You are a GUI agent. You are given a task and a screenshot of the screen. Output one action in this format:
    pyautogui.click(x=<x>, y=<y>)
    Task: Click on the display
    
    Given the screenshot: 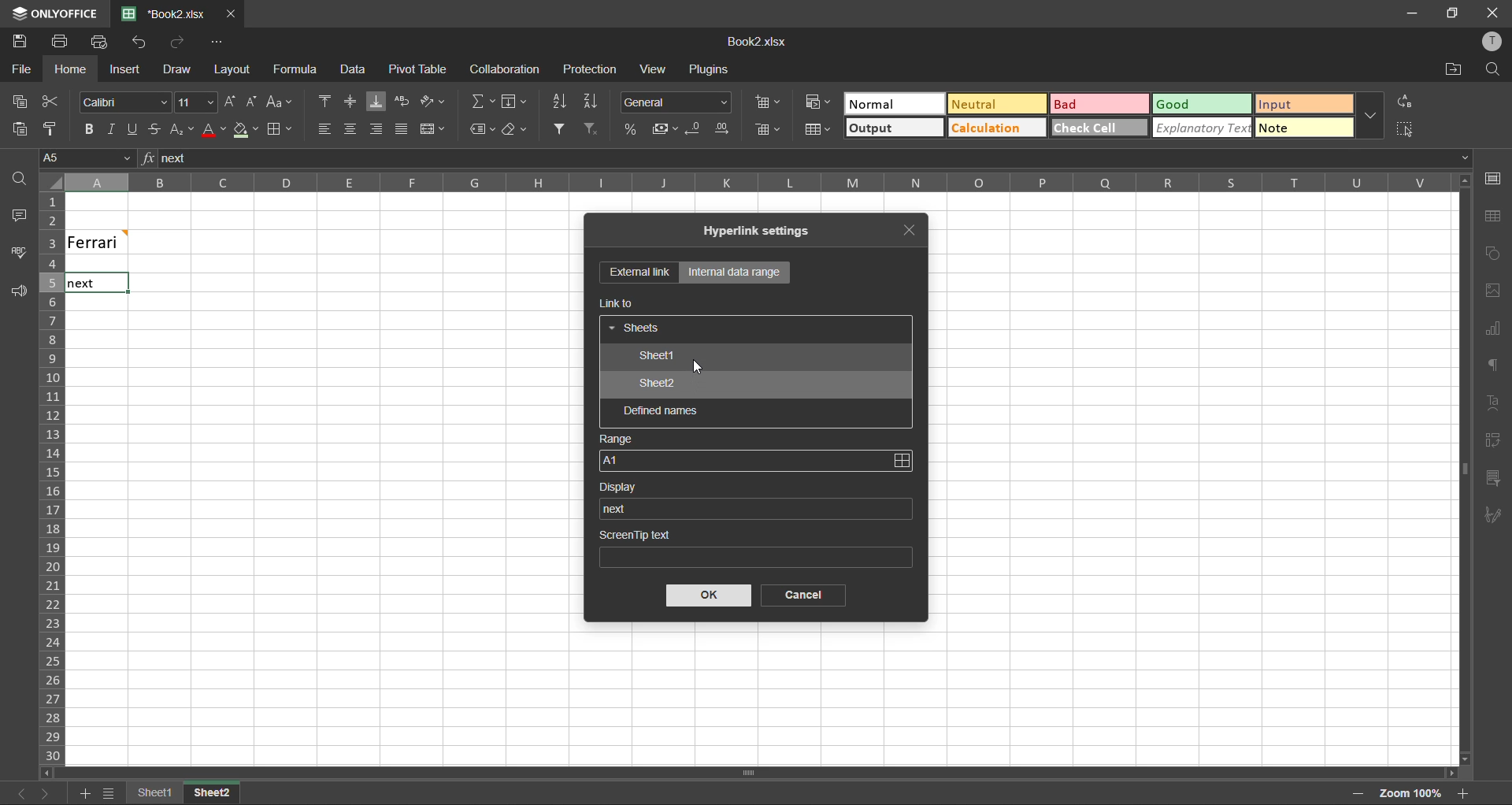 What is the action you would take?
    pyautogui.click(x=624, y=487)
    